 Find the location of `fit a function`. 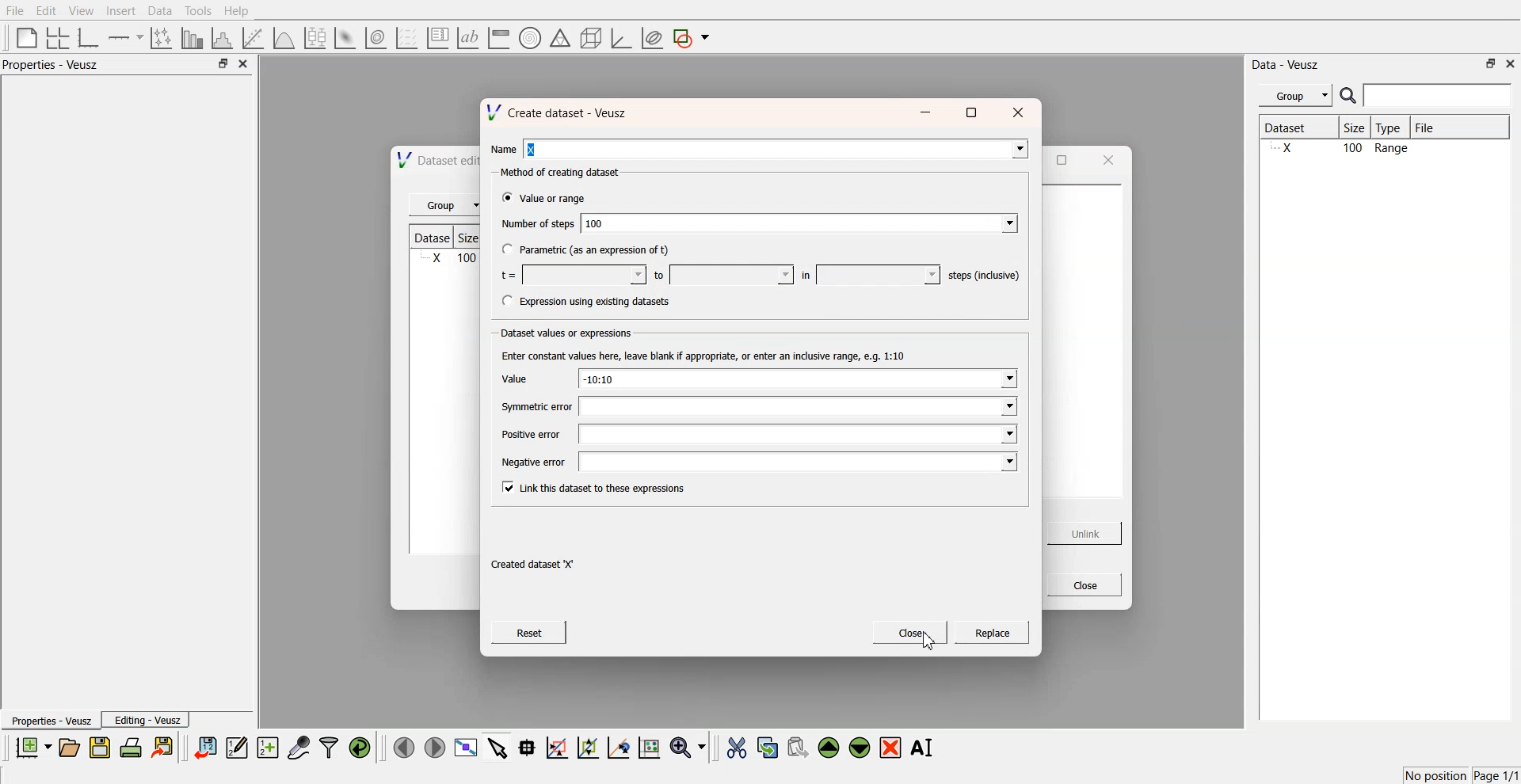

fit a function is located at coordinates (254, 36).